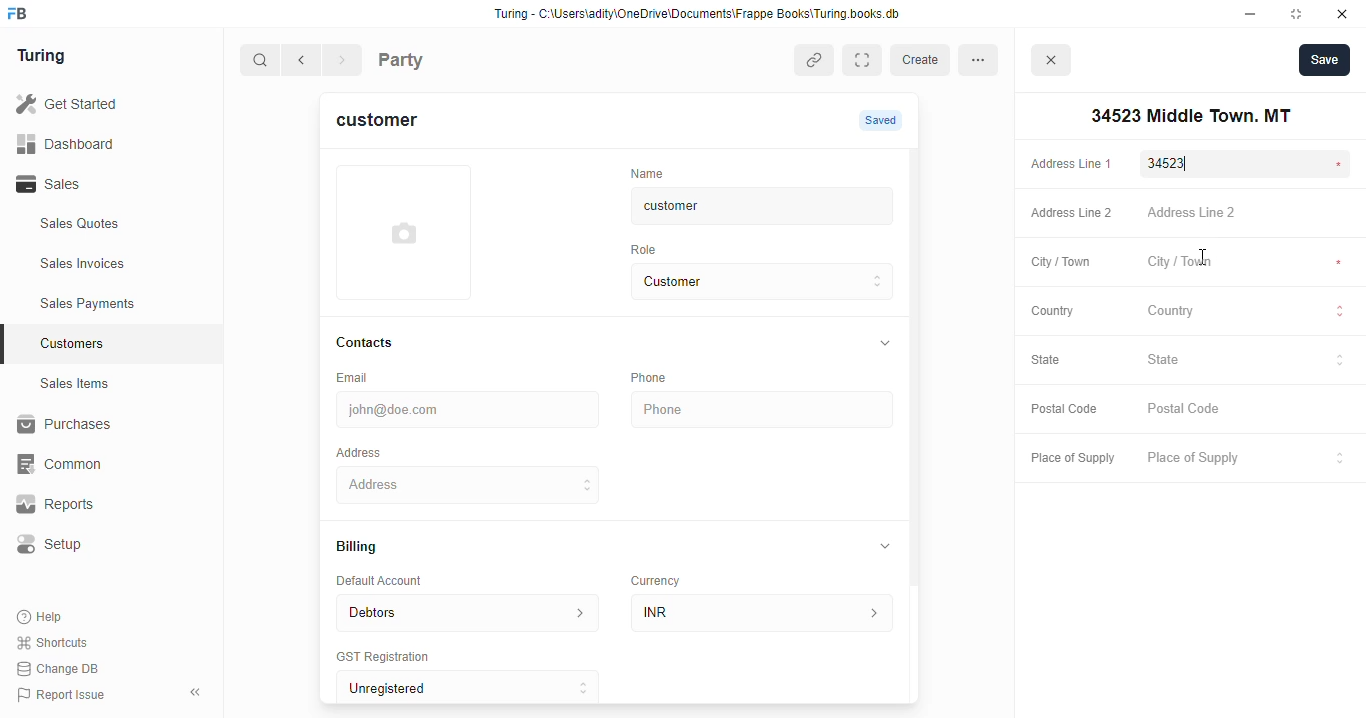  I want to click on Get Started, so click(93, 105).